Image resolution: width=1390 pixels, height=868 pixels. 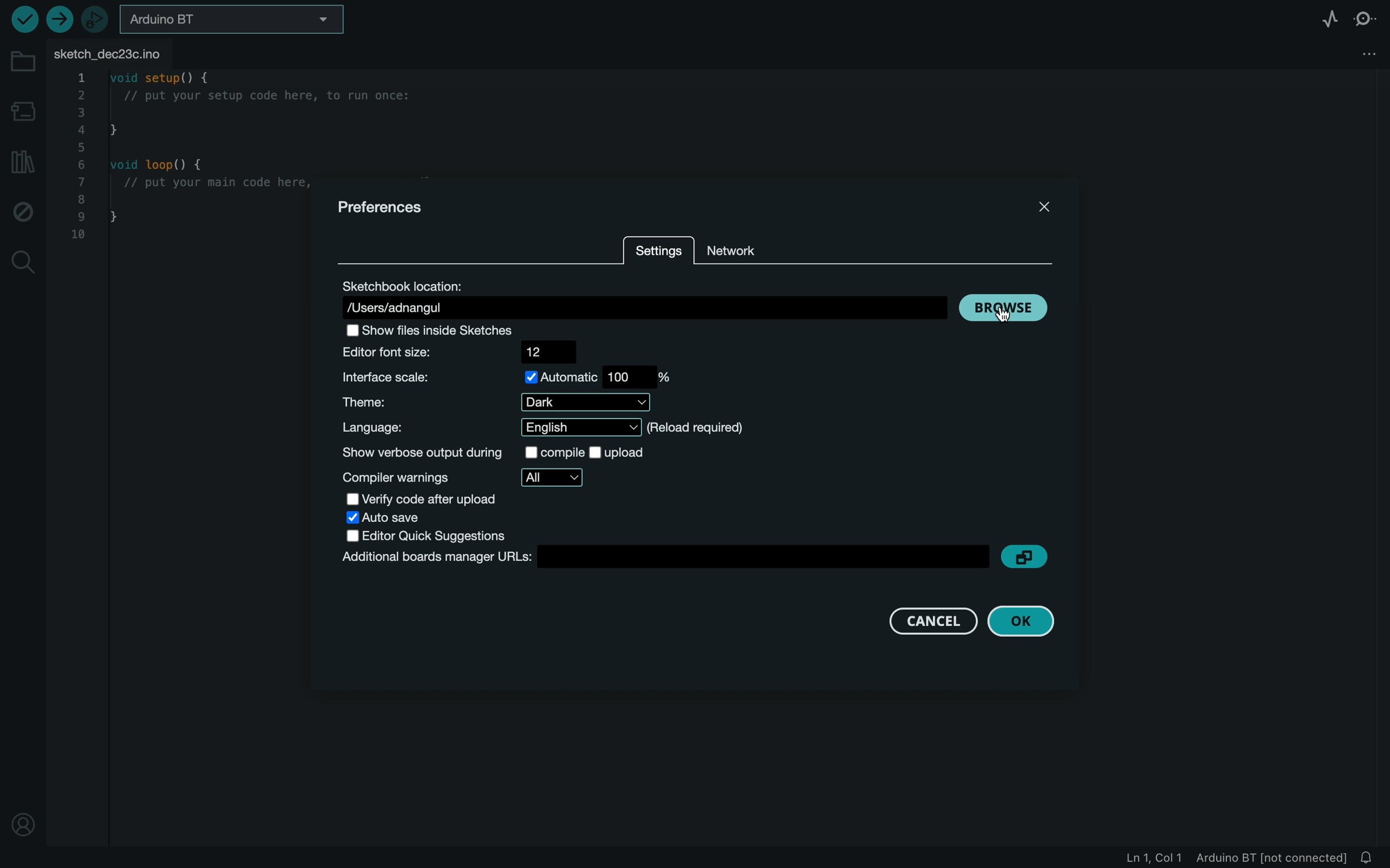 What do you see at coordinates (640, 299) in the screenshot?
I see `sketchbook location` at bounding box center [640, 299].